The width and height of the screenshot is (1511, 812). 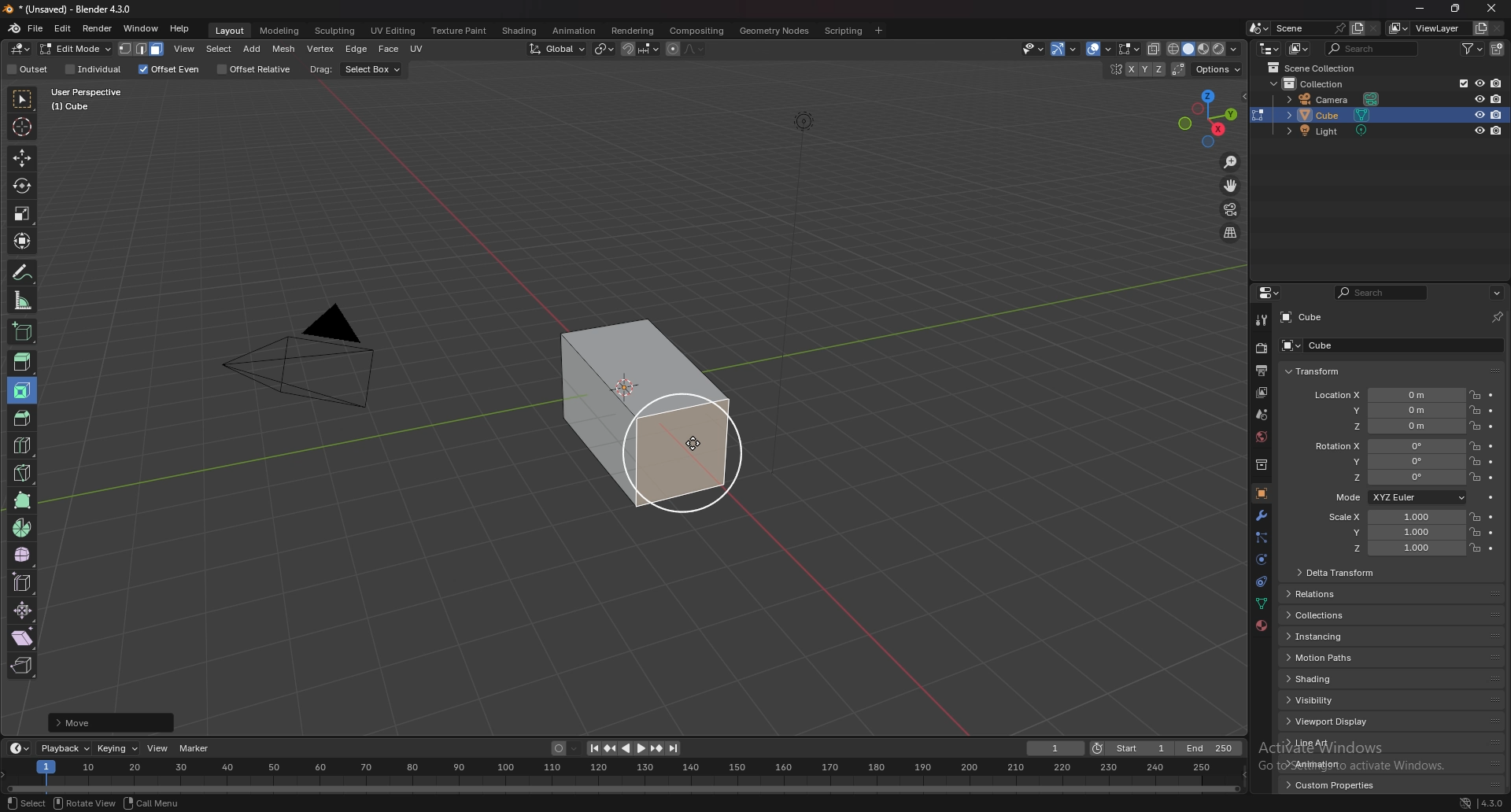 I want to click on disable in render, so click(x=1498, y=98).